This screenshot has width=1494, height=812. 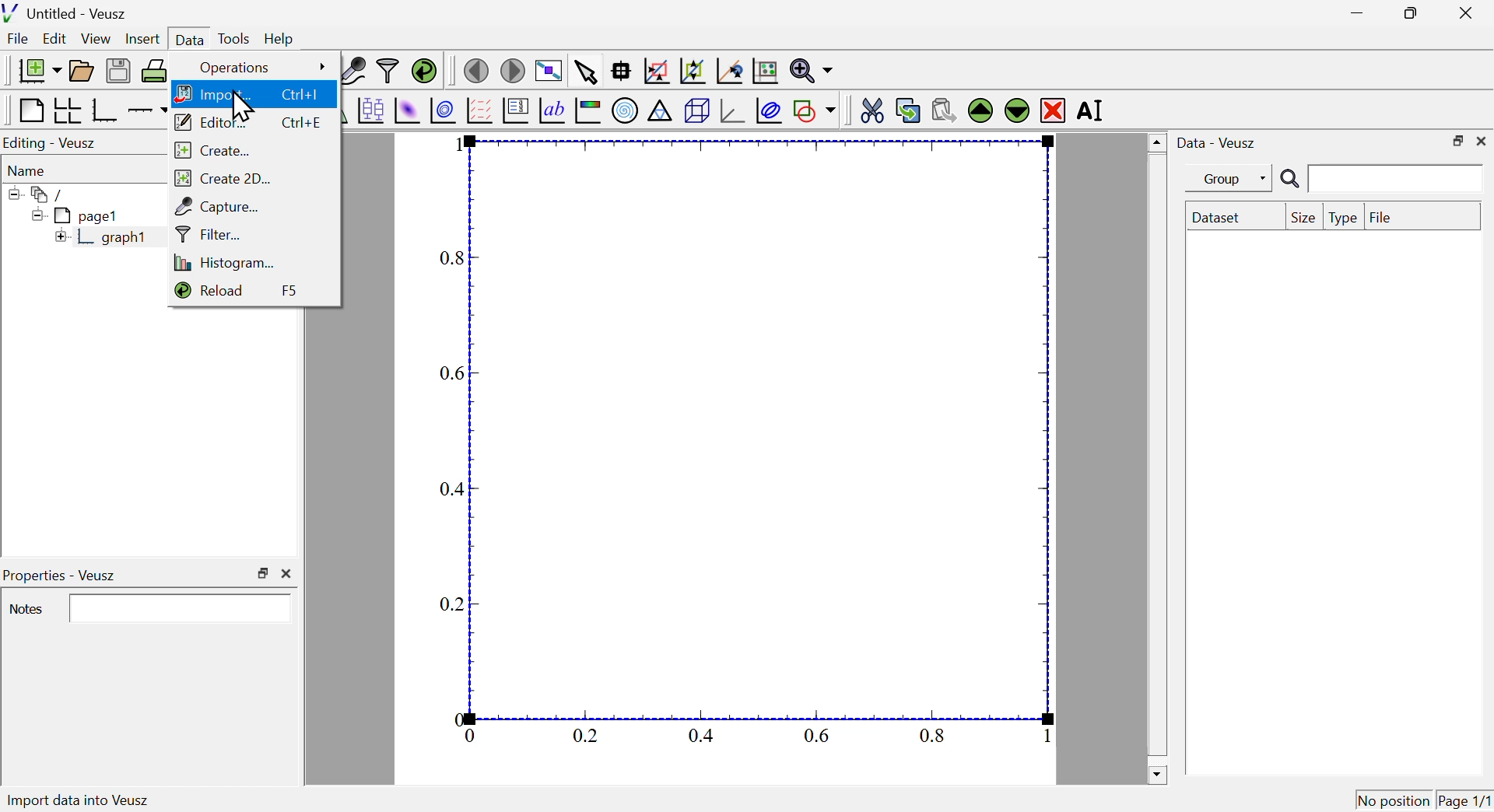 I want to click on add an axis to the plot, so click(x=149, y=110).